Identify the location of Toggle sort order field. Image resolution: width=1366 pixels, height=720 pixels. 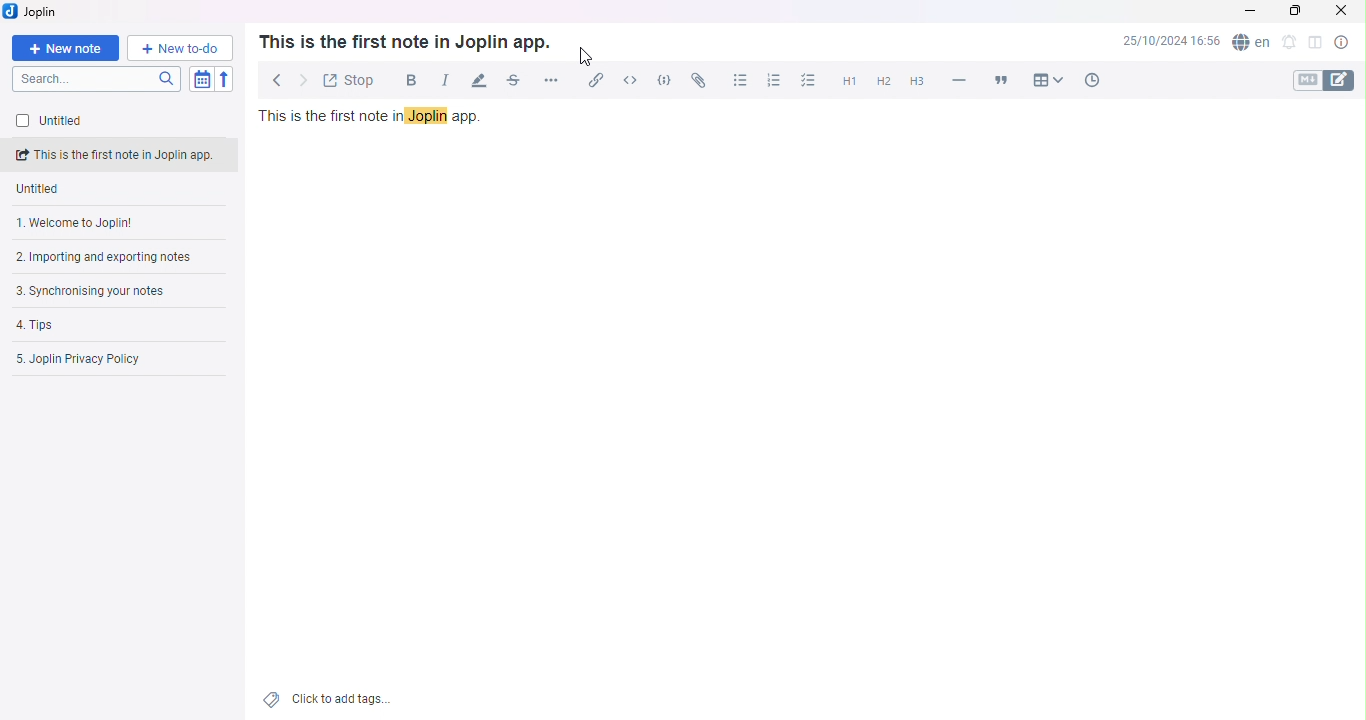
(204, 79).